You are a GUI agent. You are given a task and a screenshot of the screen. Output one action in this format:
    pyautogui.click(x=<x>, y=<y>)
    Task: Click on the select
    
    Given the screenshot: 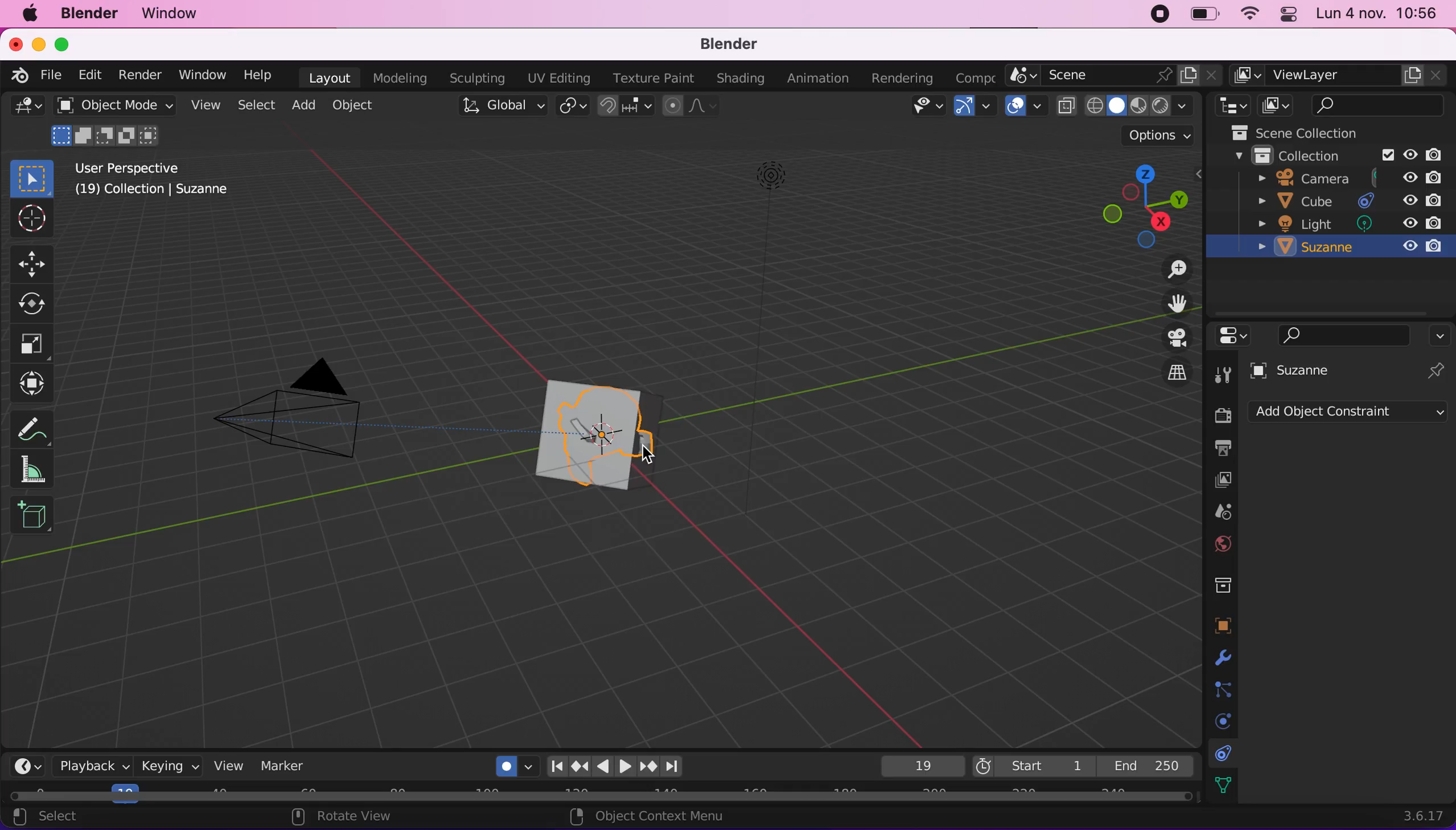 What is the action you would take?
    pyautogui.click(x=254, y=104)
    